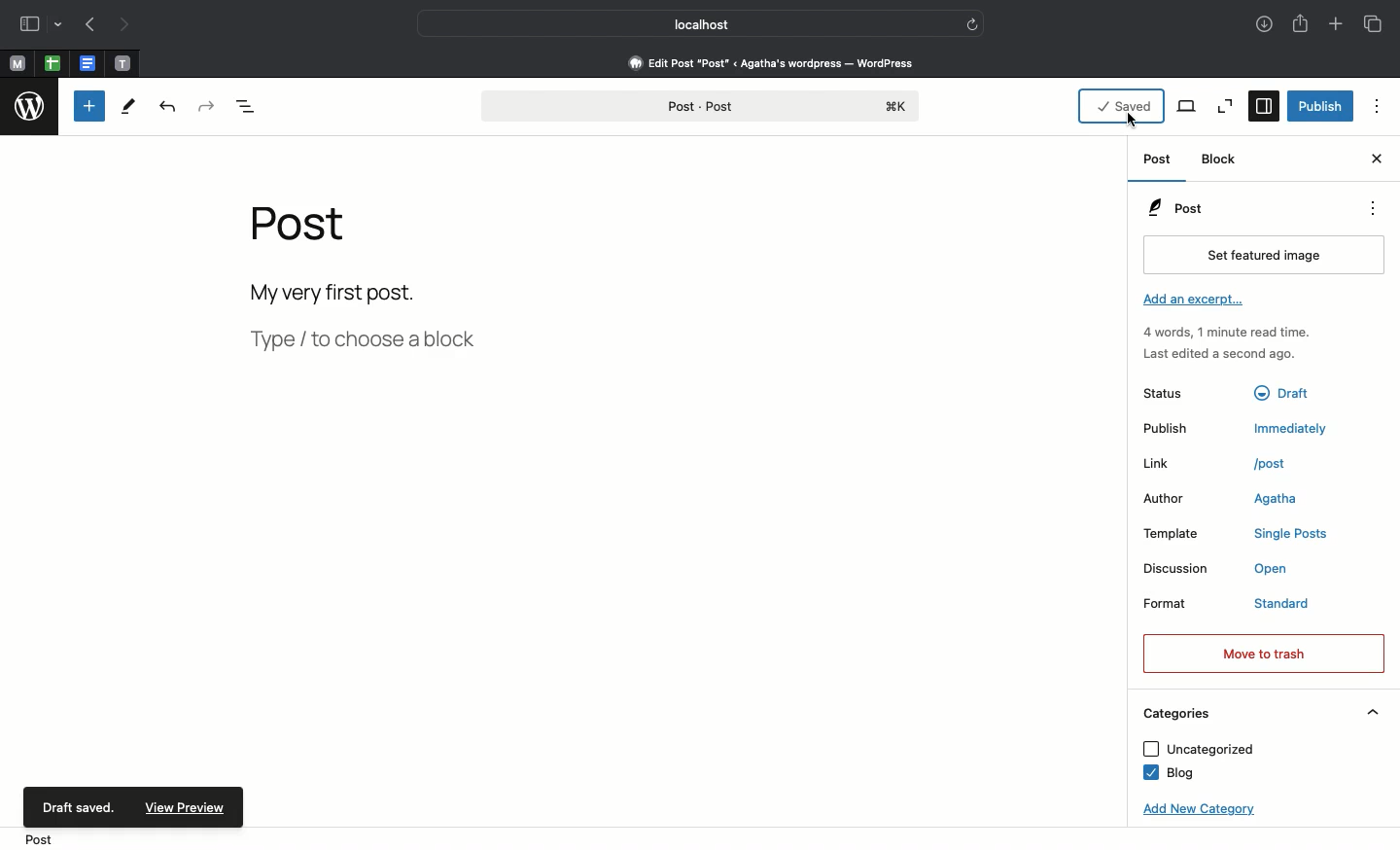  What do you see at coordinates (1303, 605) in the screenshot?
I see `Standard` at bounding box center [1303, 605].